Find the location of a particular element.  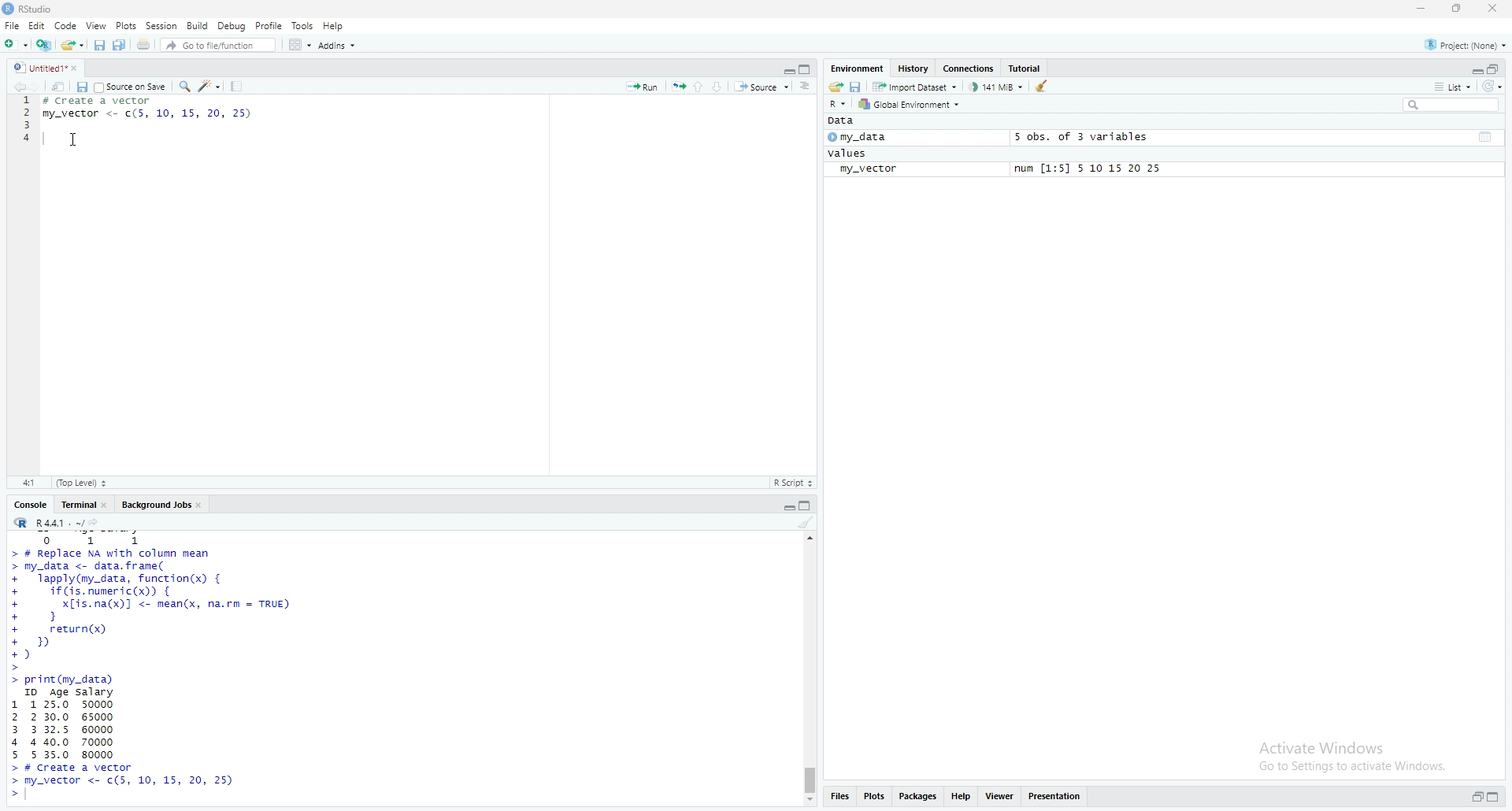

File is located at coordinates (10, 26).